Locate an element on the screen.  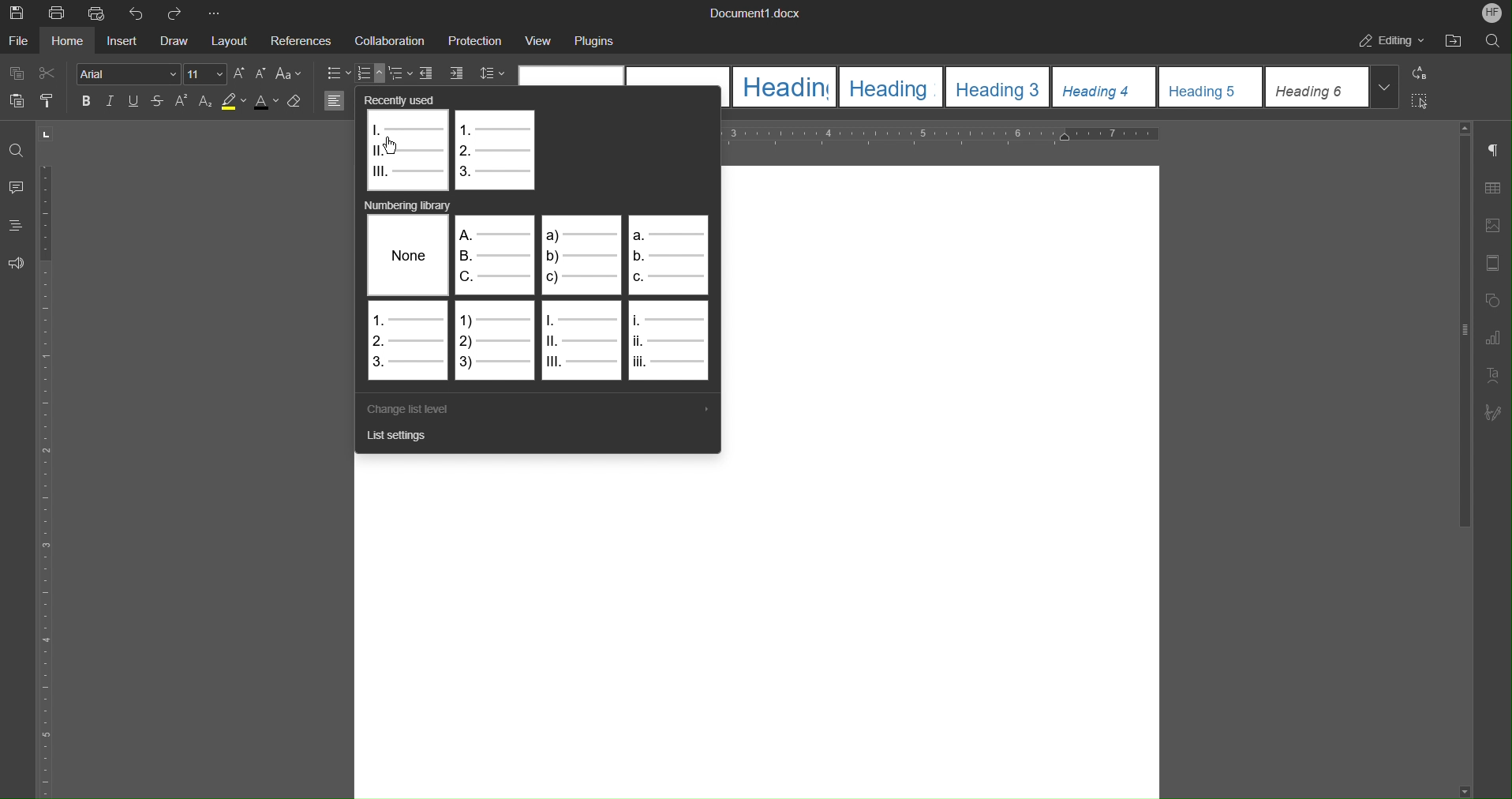
Select All is located at coordinates (1420, 101).